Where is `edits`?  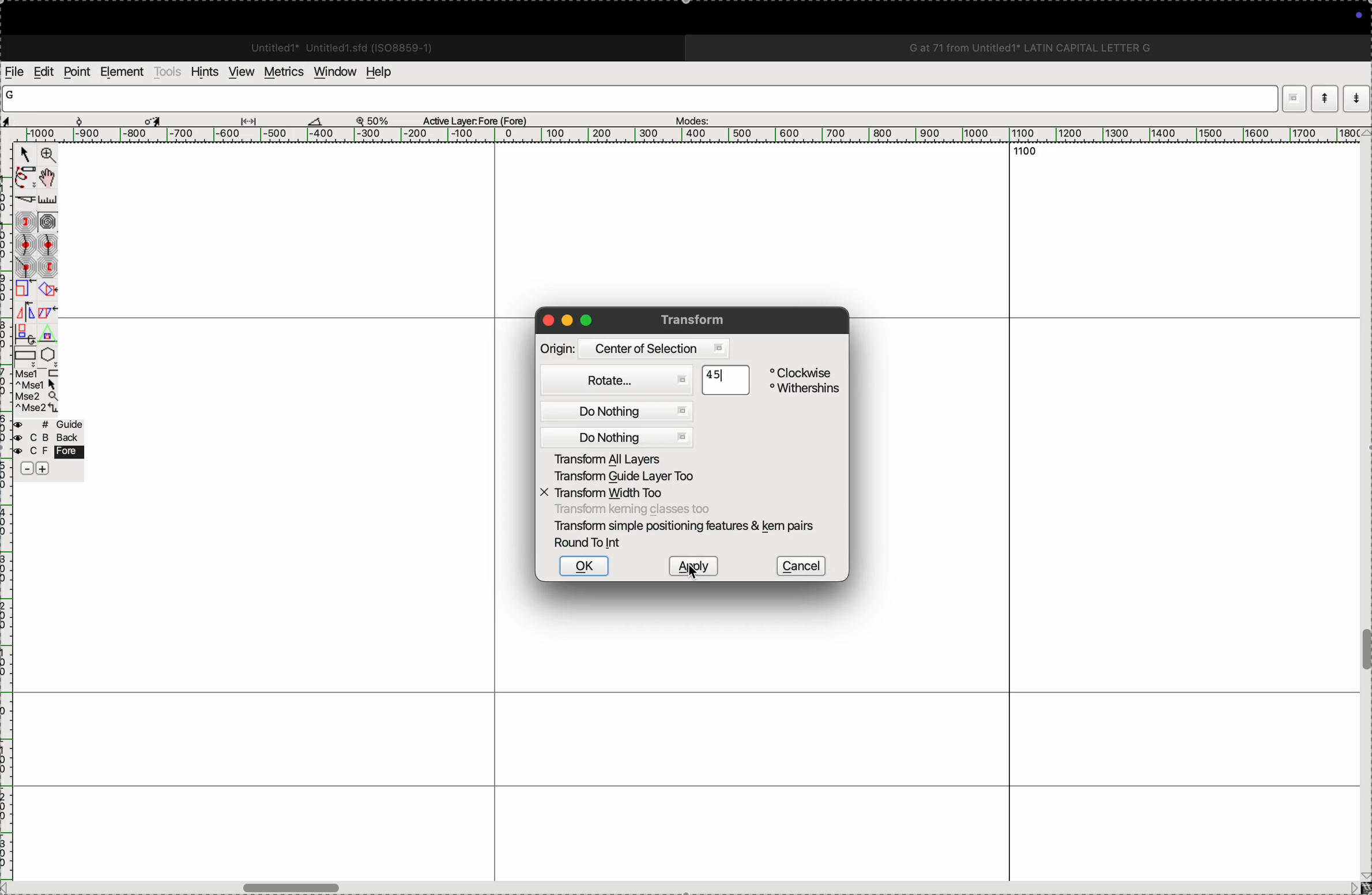
edits is located at coordinates (44, 73).